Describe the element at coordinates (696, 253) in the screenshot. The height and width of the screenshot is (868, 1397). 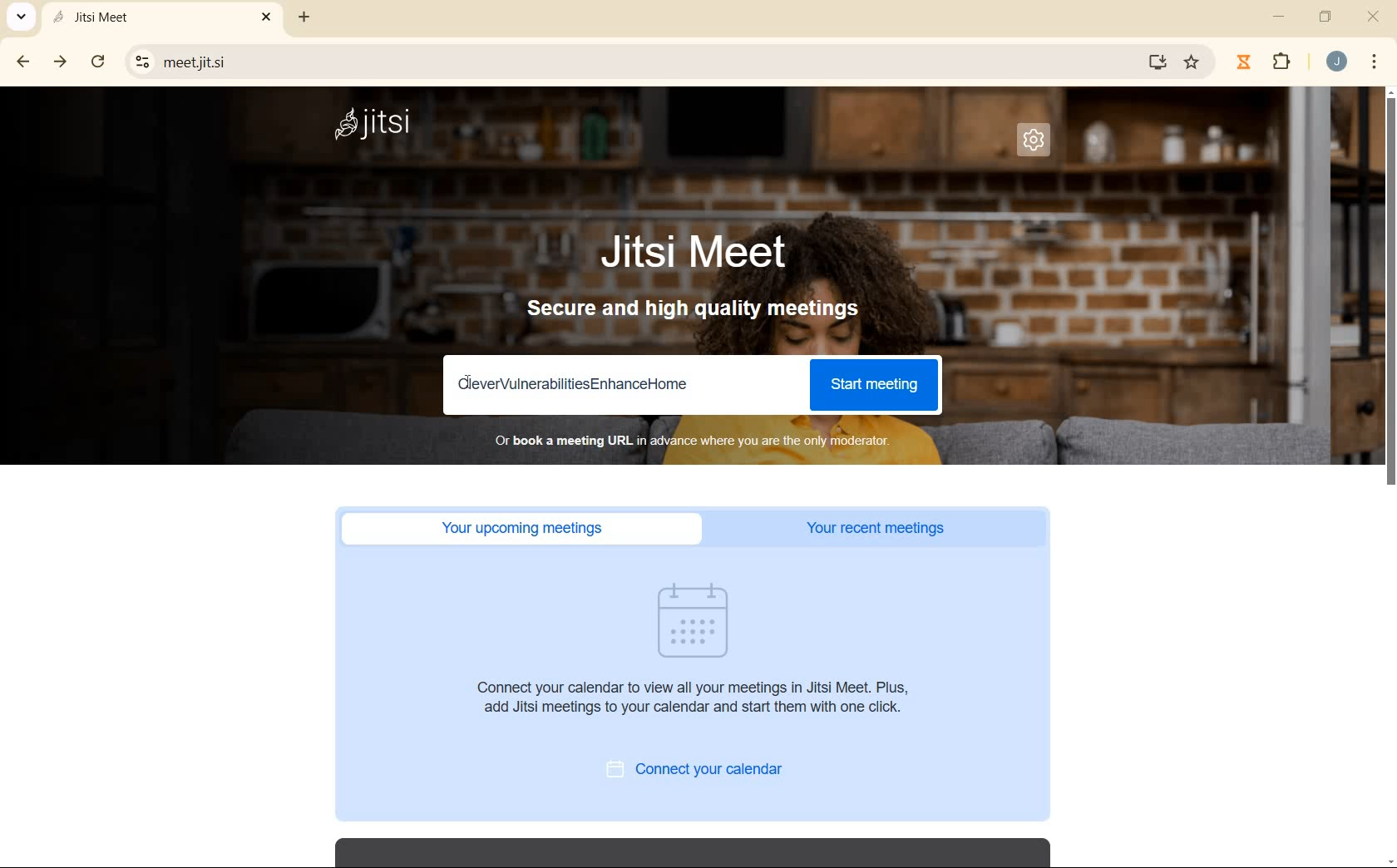
I see `Jitsi Meet` at that location.